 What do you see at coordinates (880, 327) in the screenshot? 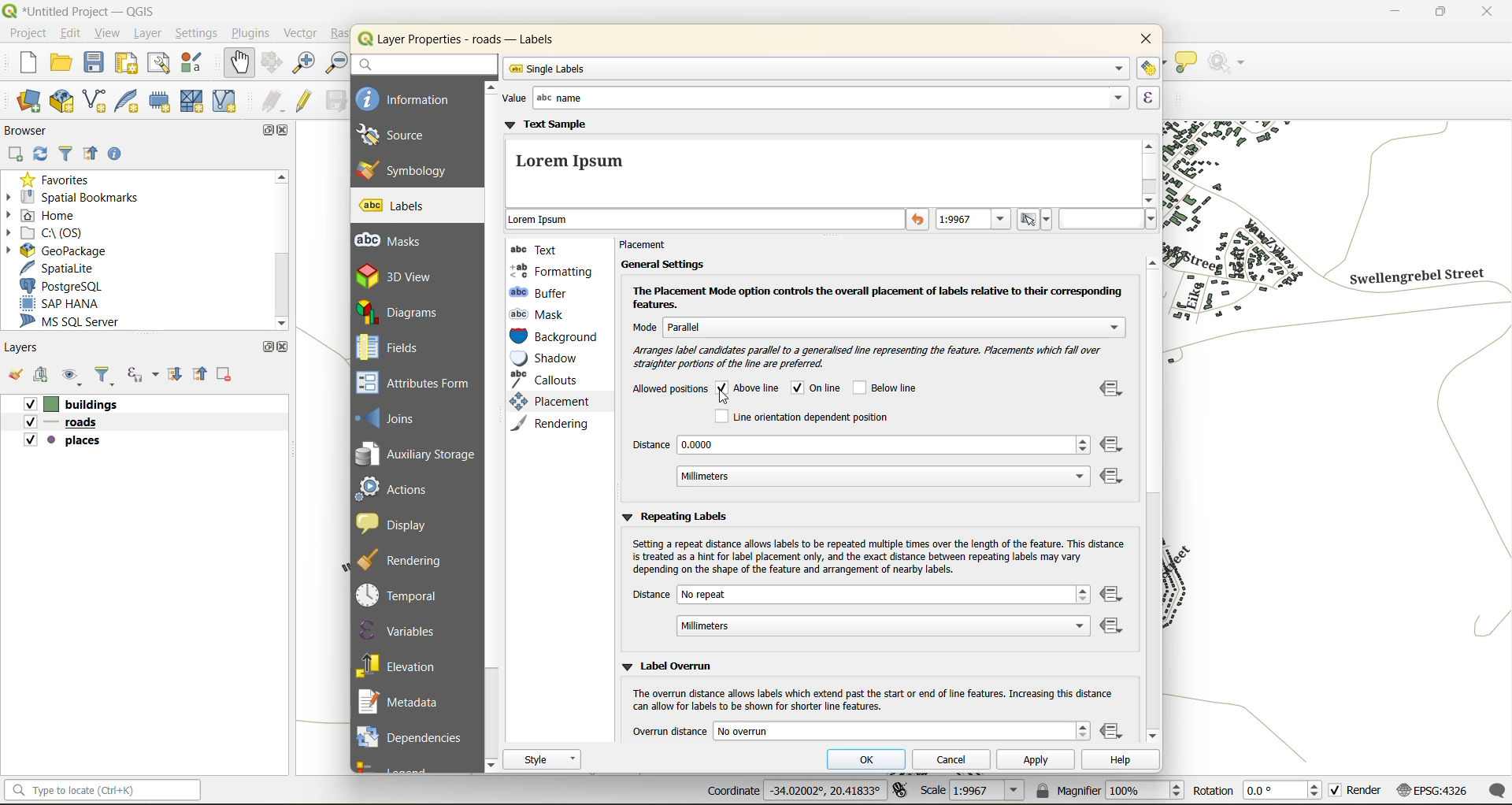
I see `mode` at bounding box center [880, 327].